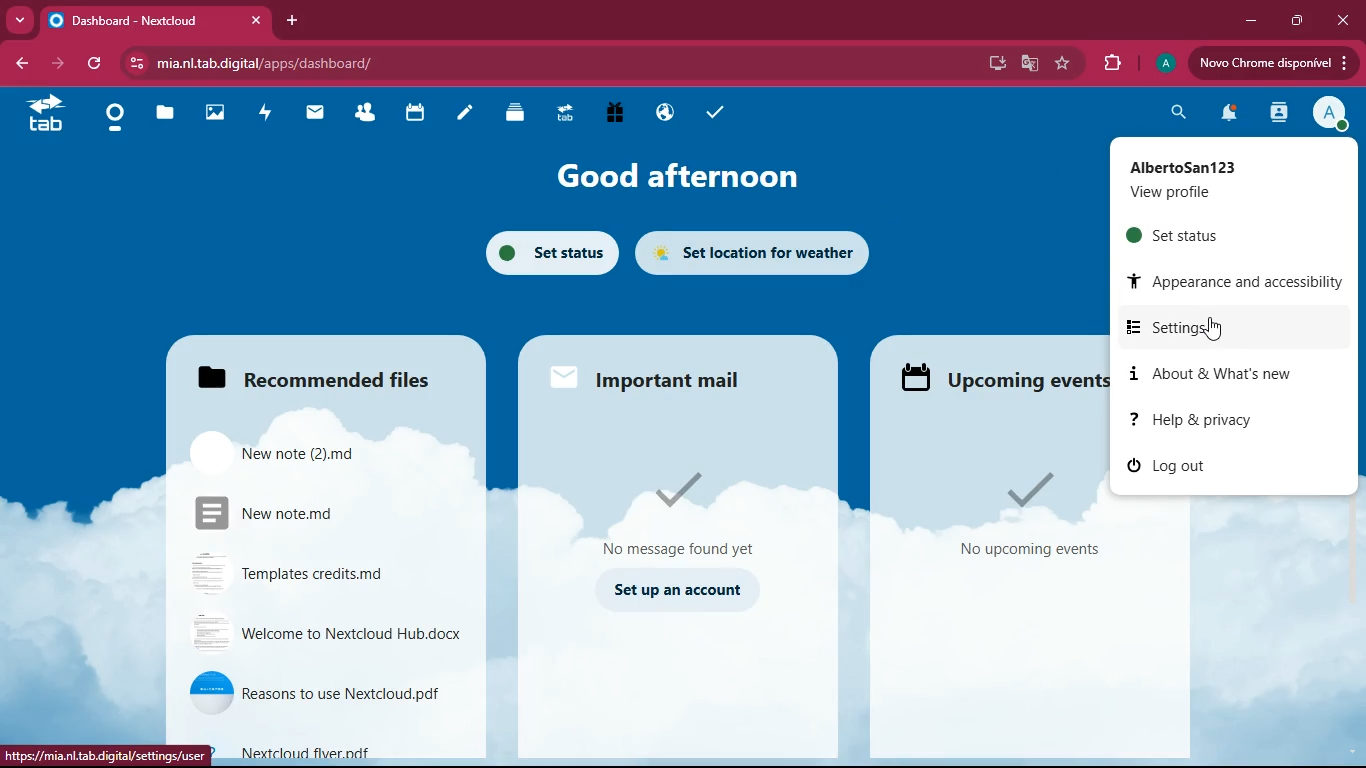 The image size is (1366, 768). What do you see at coordinates (1212, 469) in the screenshot?
I see `log out` at bounding box center [1212, 469].